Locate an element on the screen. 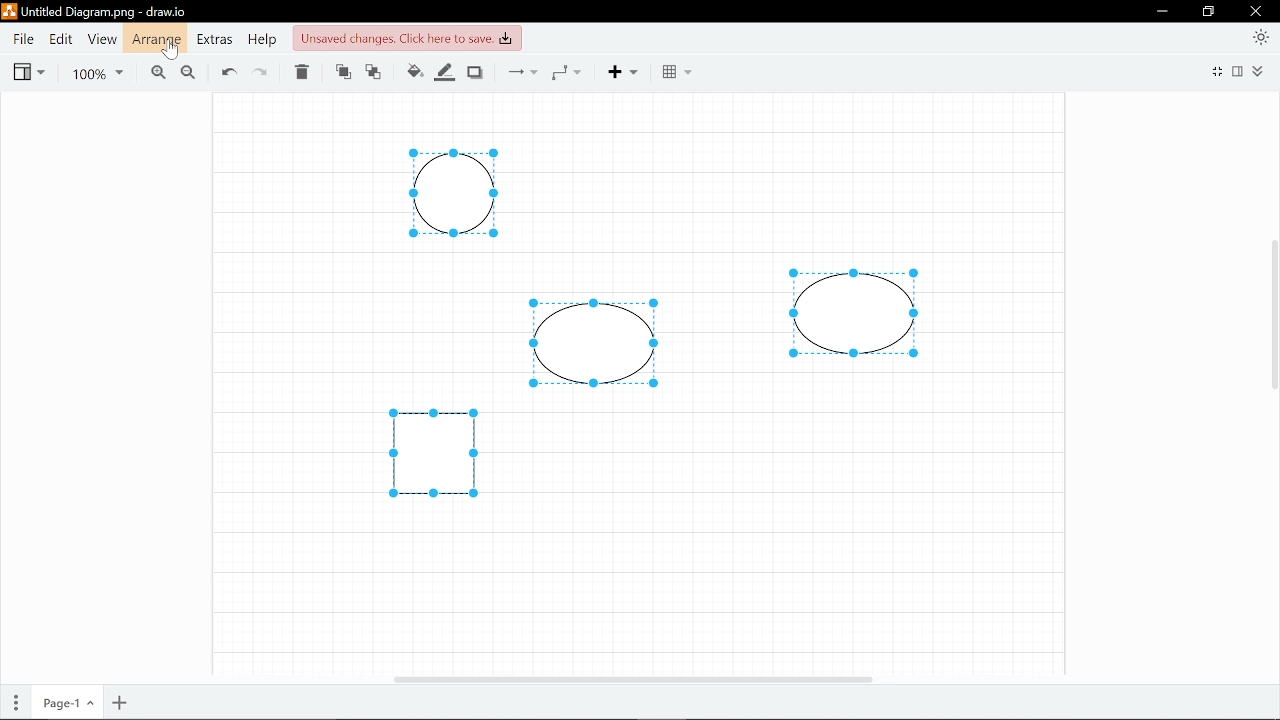 The width and height of the screenshot is (1280, 720). Unsaved changes. Click here to save is located at coordinates (405, 37).